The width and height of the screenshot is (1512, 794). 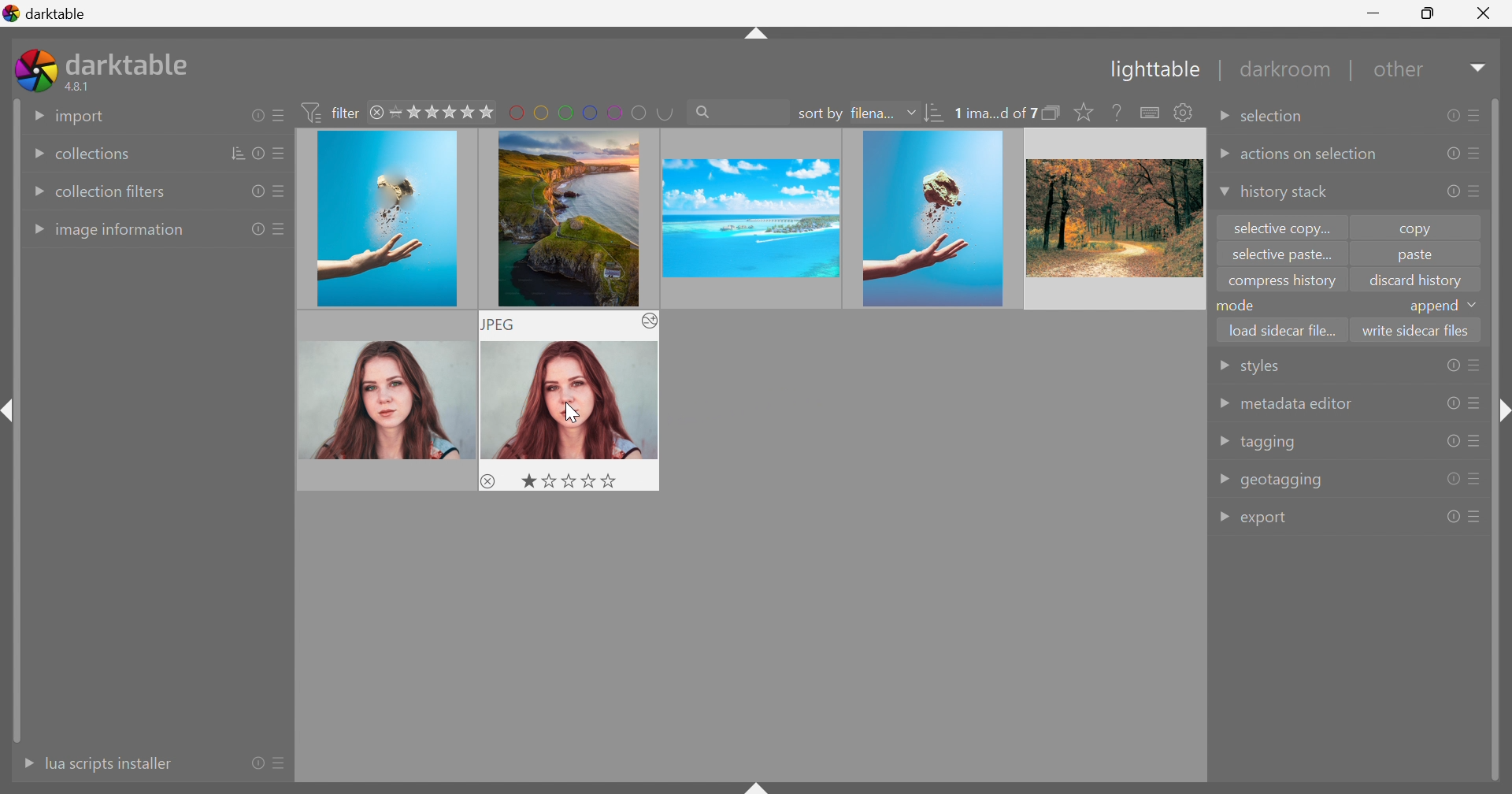 What do you see at coordinates (276, 194) in the screenshot?
I see `presets` at bounding box center [276, 194].